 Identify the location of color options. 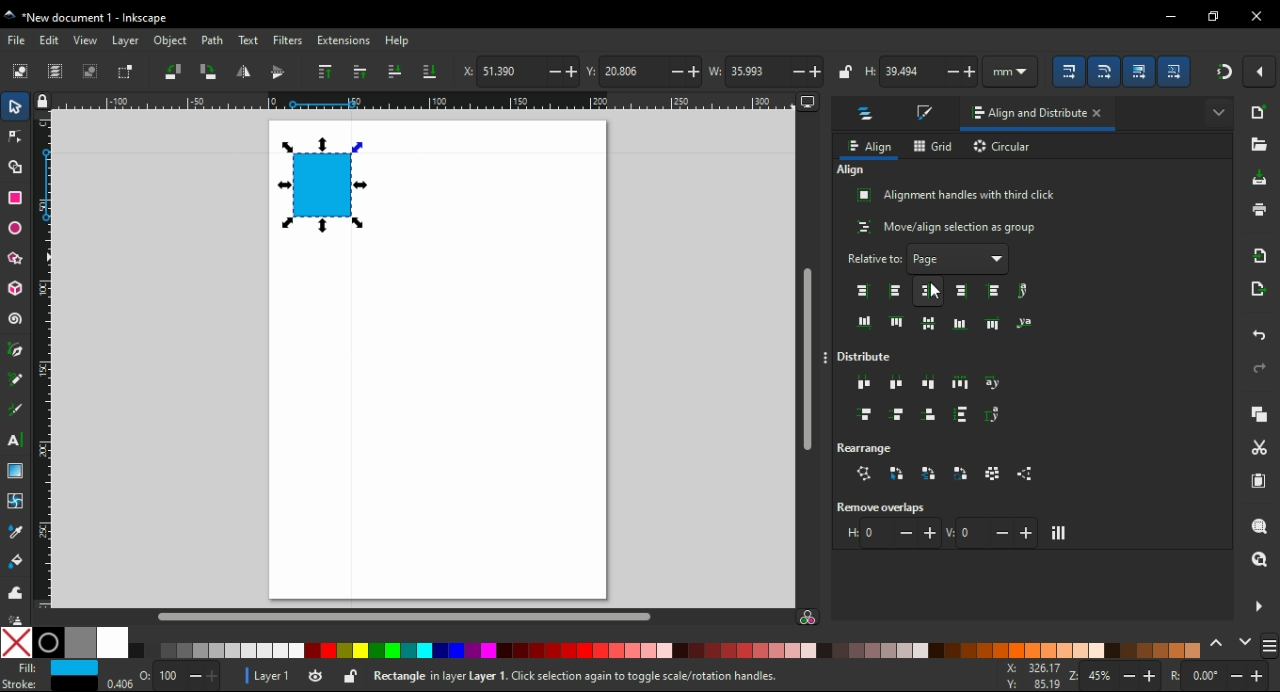
(1270, 647).